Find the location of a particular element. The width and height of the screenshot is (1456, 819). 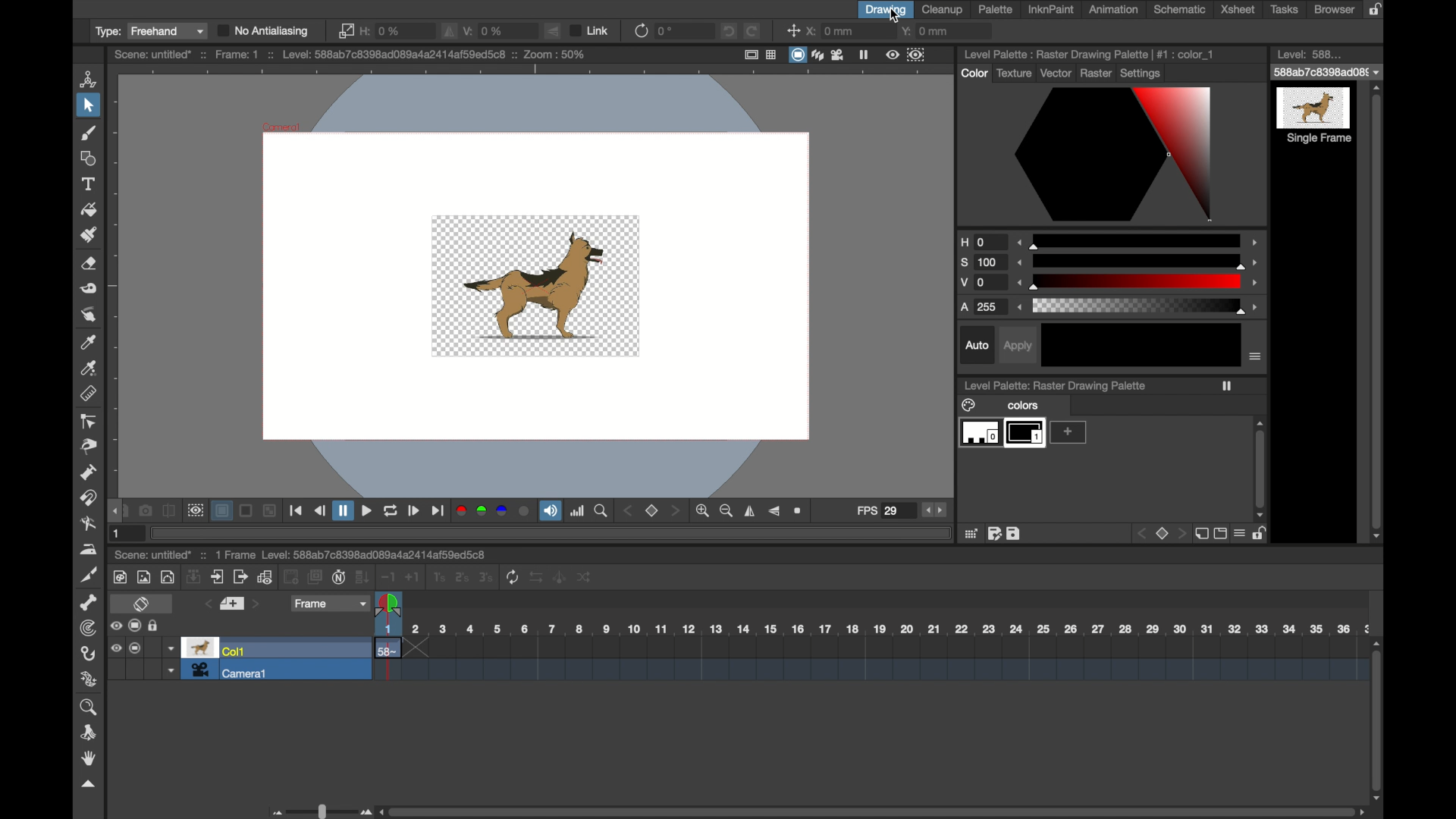

palette is located at coordinates (996, 9).